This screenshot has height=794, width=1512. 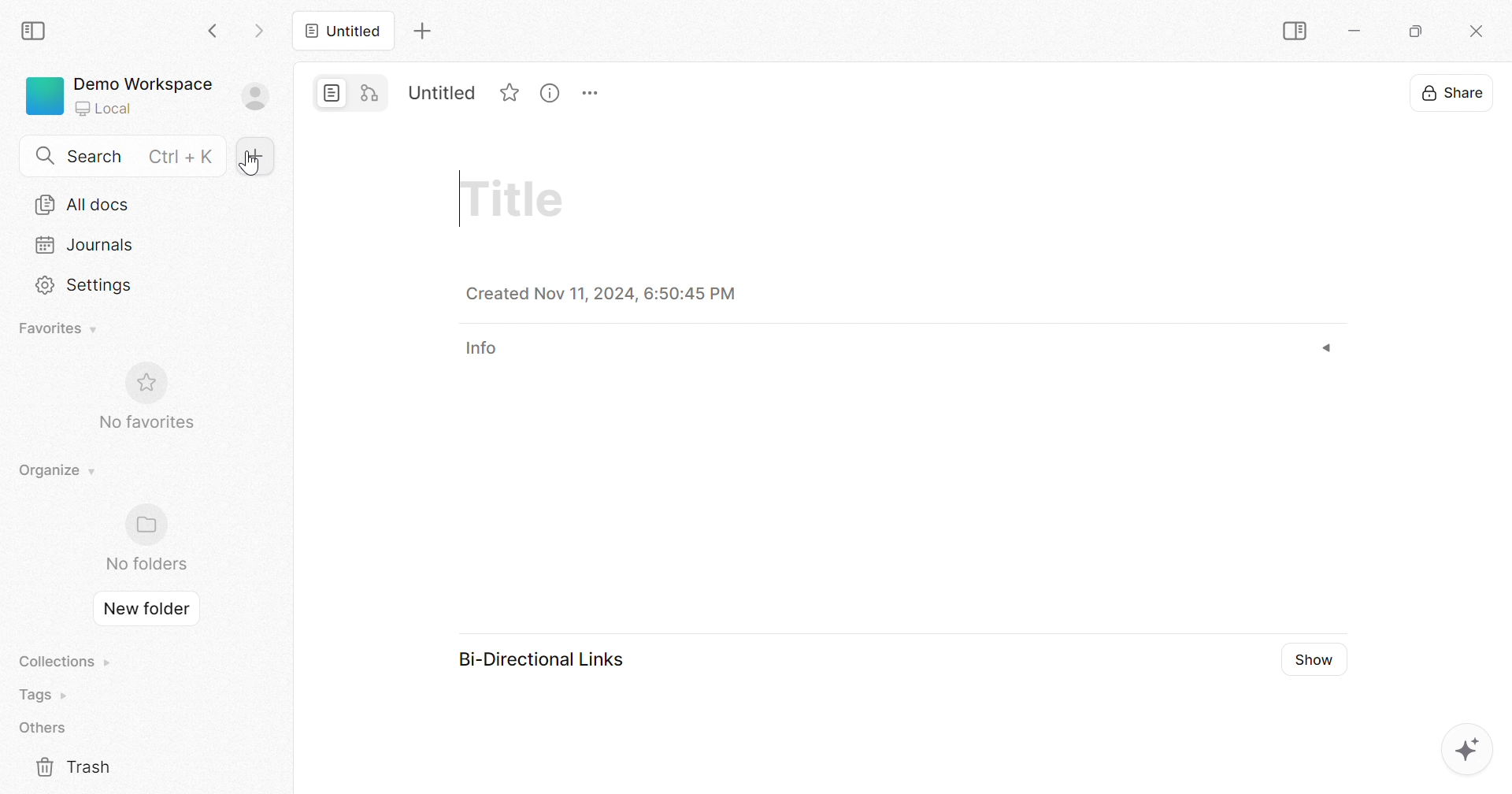 What do you see at coordinates (98, 157) in the screenshot?
I see `Search` at bounding box center [98, 157].